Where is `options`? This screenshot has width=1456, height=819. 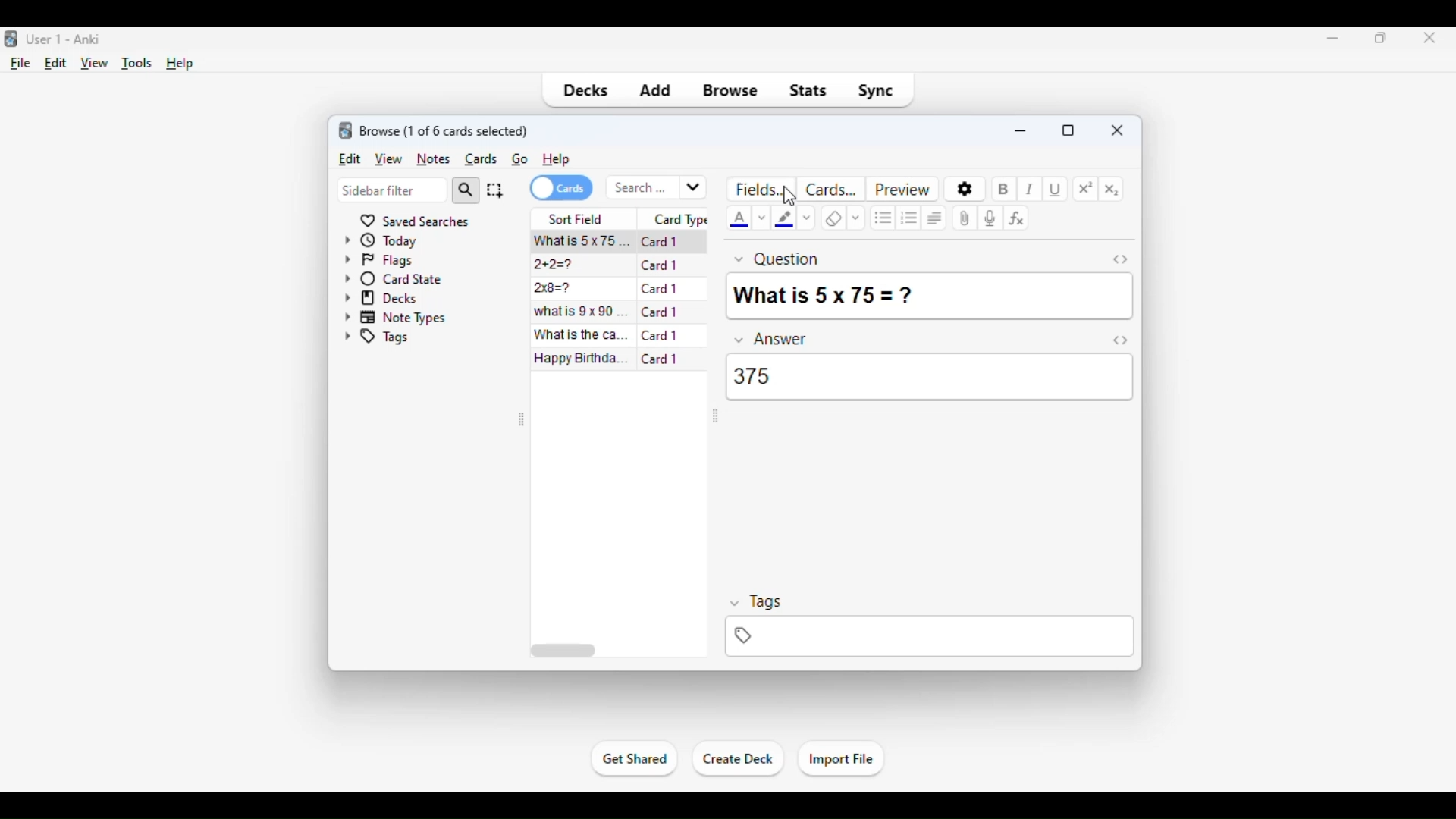
options is located at coordinates (965, 189).